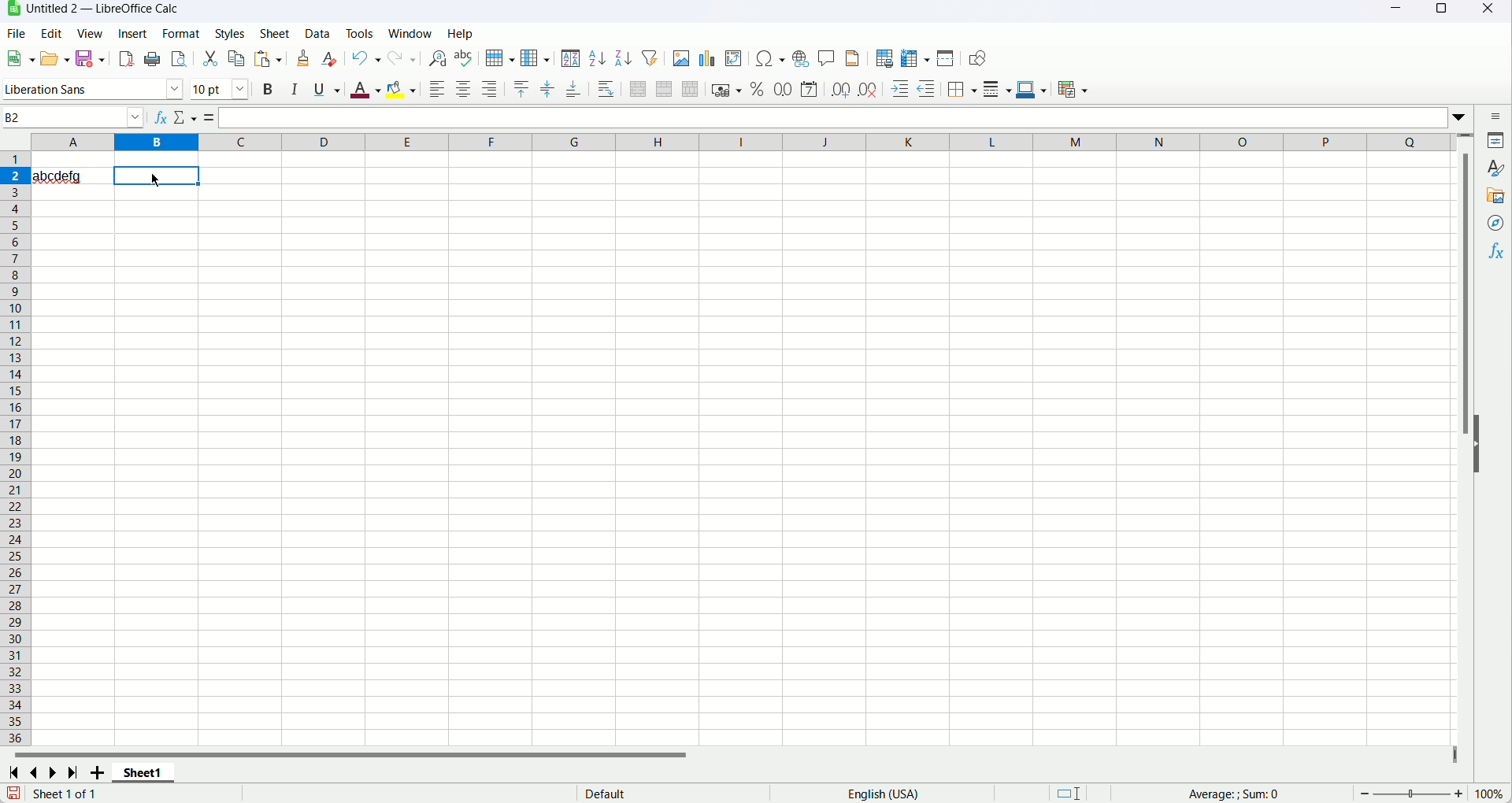  I want to click on scroll to next page, so click(54, 771).